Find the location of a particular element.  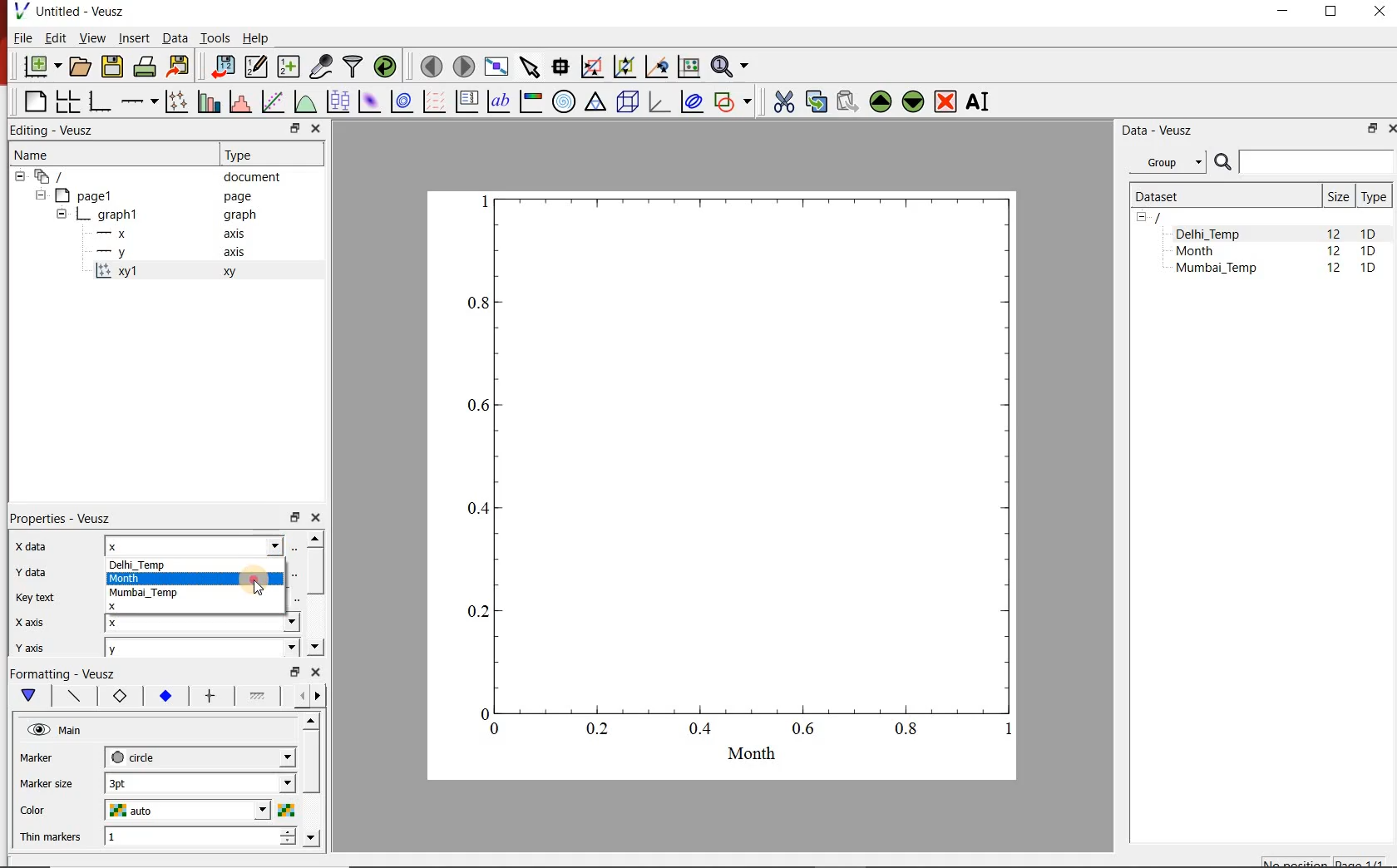

x axix is located at coordinates (26, 620).